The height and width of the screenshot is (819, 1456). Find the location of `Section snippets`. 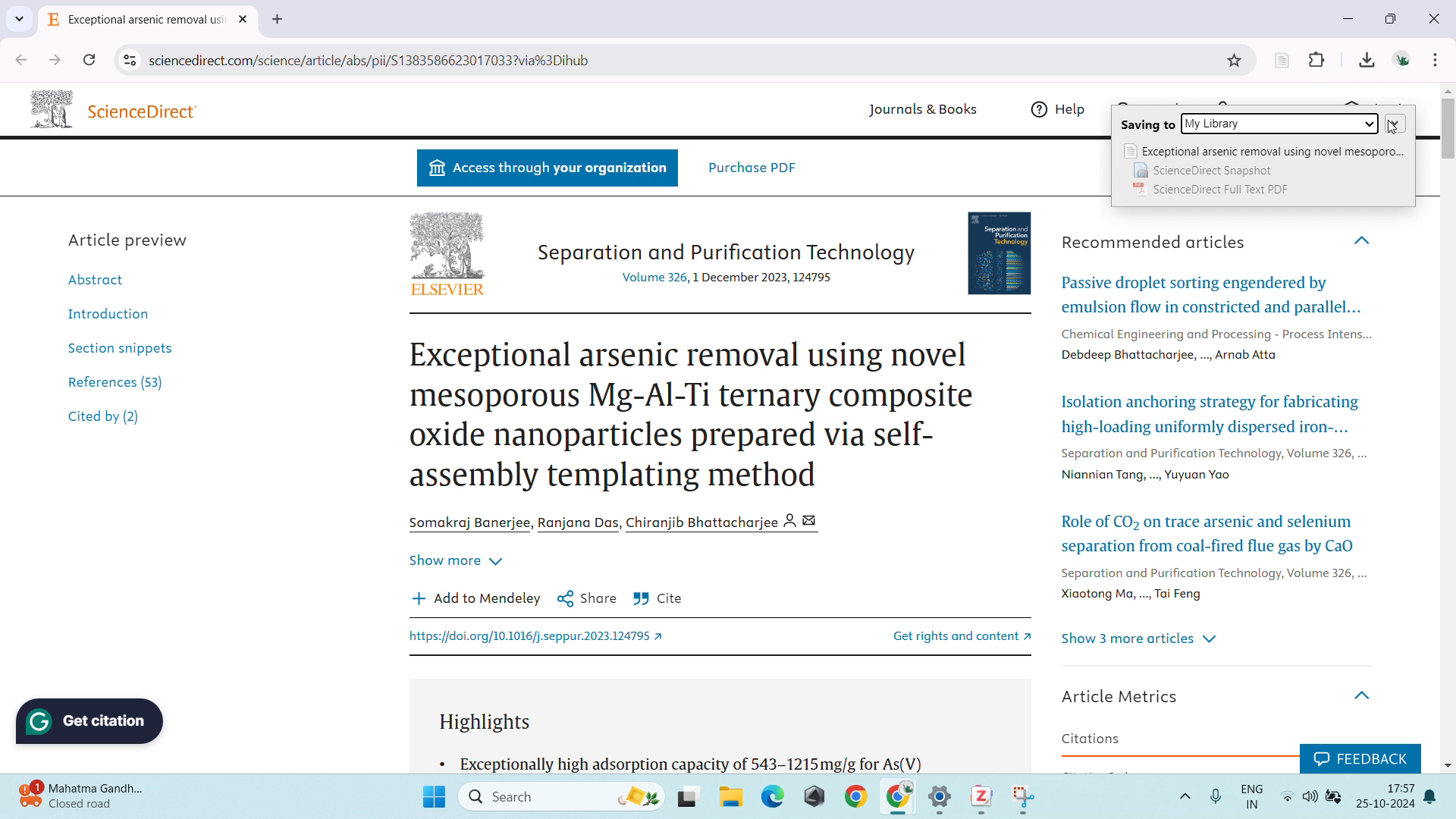

Section snippets is located at coordinates (120, 347).